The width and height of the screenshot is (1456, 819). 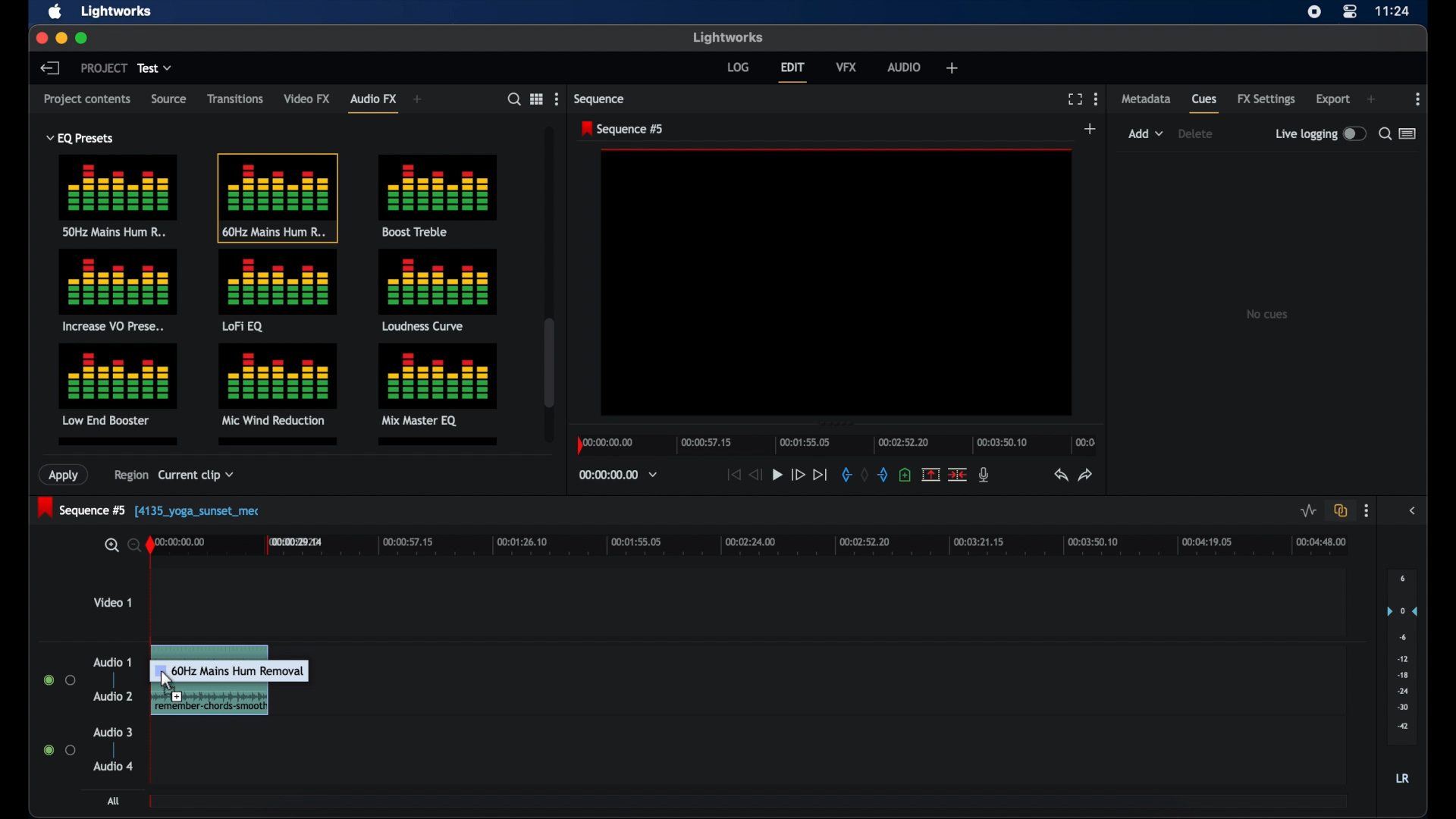 I want to click on cursor, so click(x=168, y=679).